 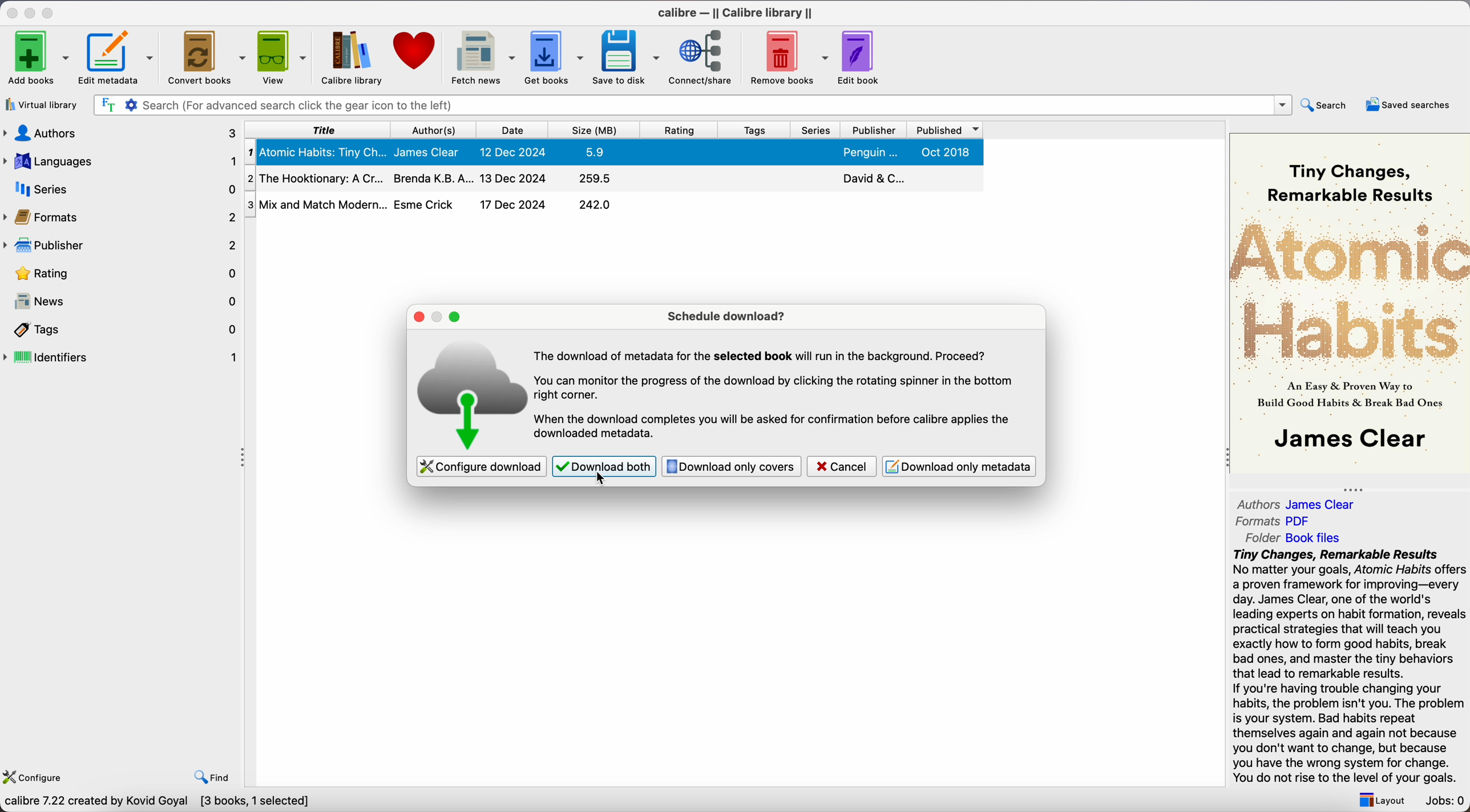 What do you see at coordinates (205, 56) in the screenshot?
I see `Convert books` at bounding box center [205, 56].